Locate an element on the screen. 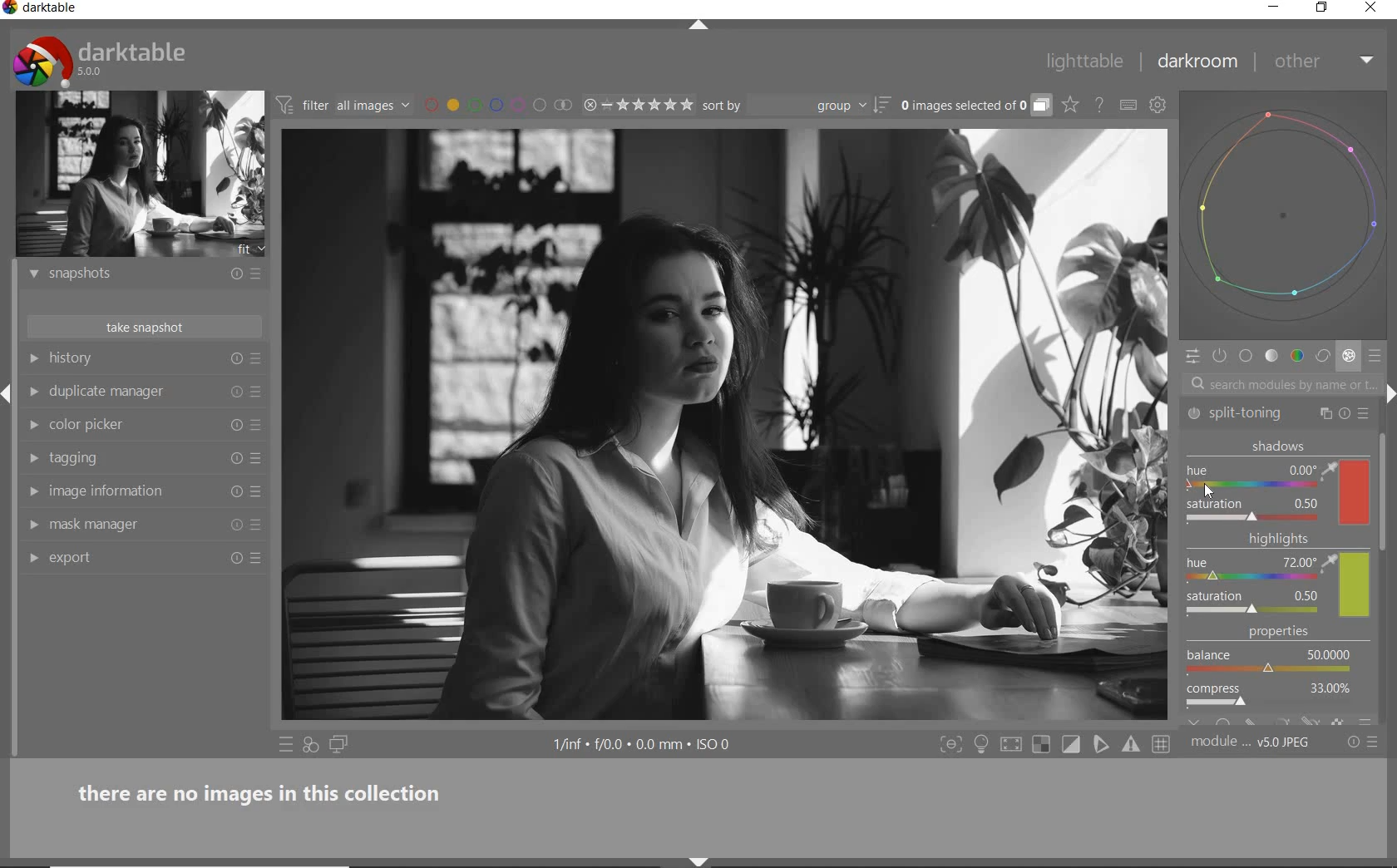 The width and height of the screenshot is (1397, 868). system logo is located at coordinates (101, 61).